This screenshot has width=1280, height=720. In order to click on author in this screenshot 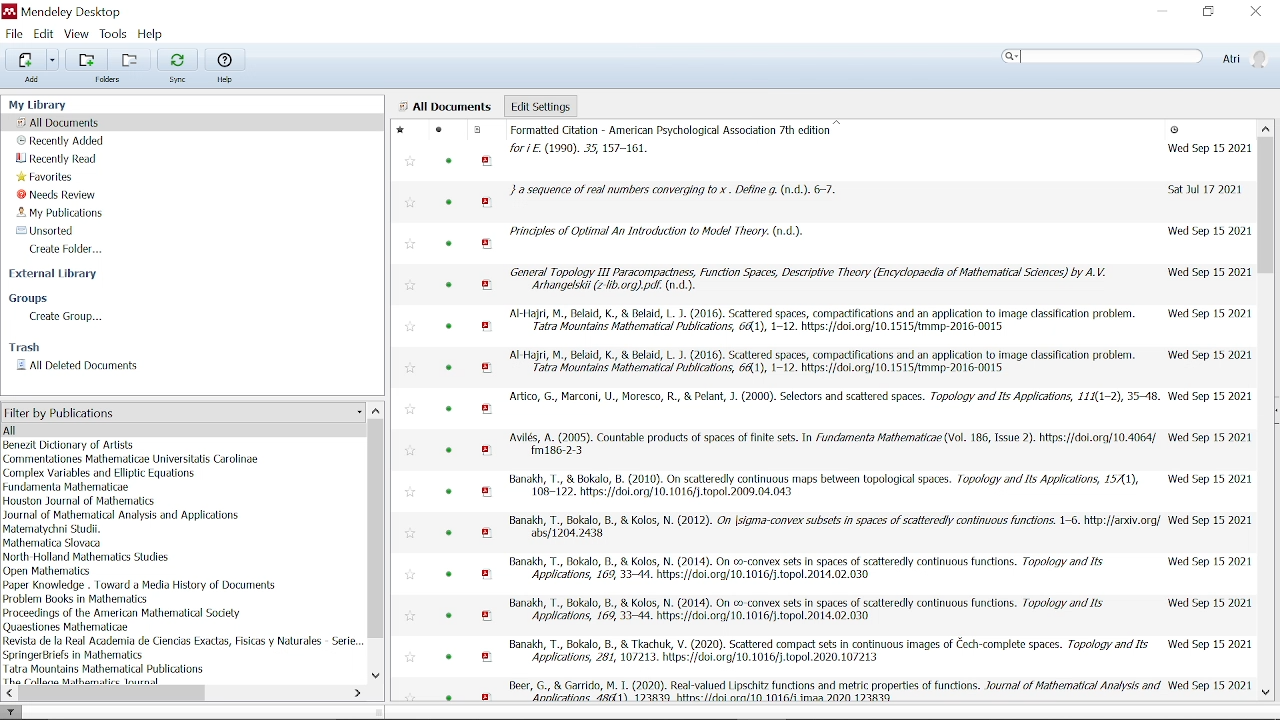, I will do `click(78, 501)`.